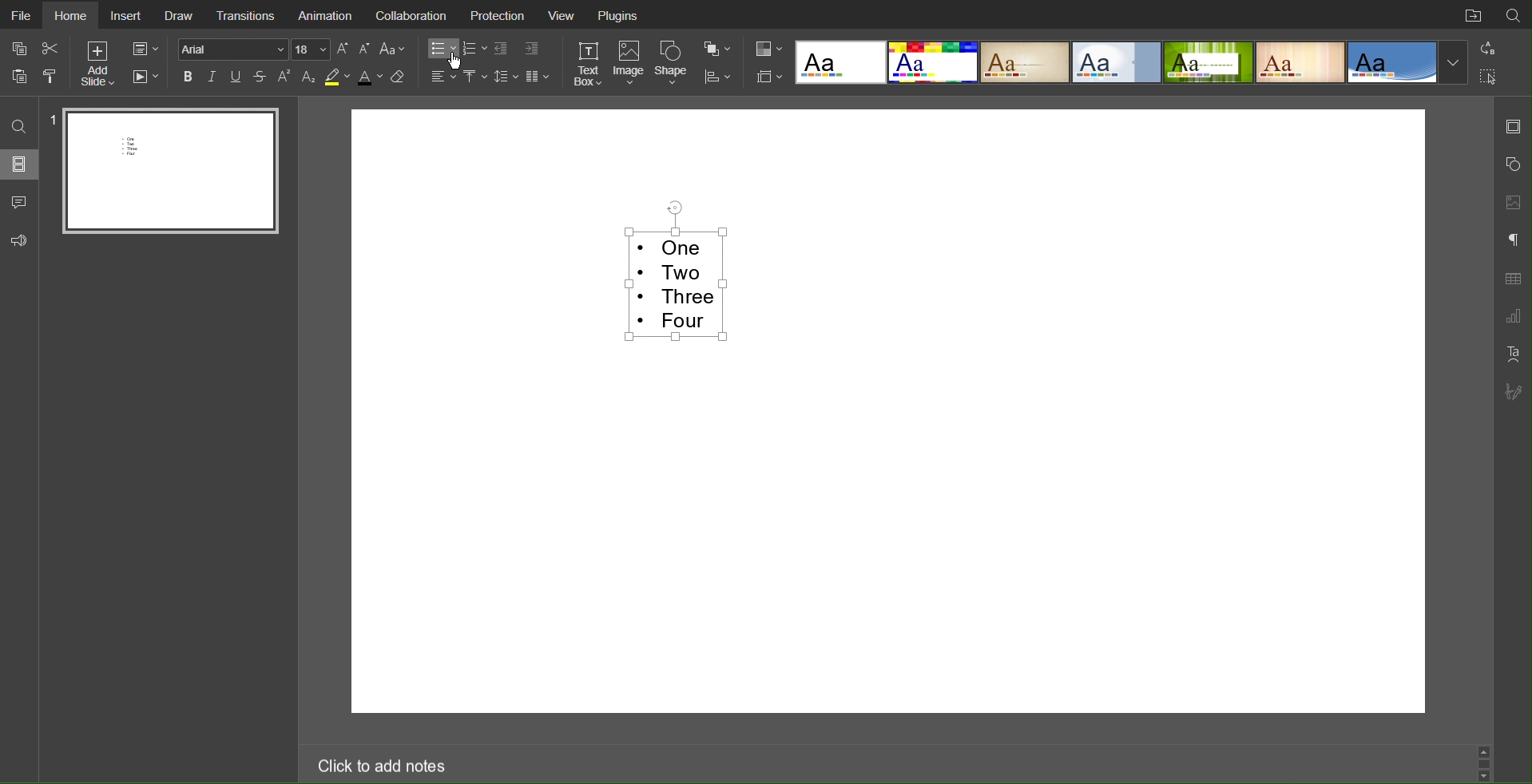  I want to click on Decrease Indent, so click(502, 49).